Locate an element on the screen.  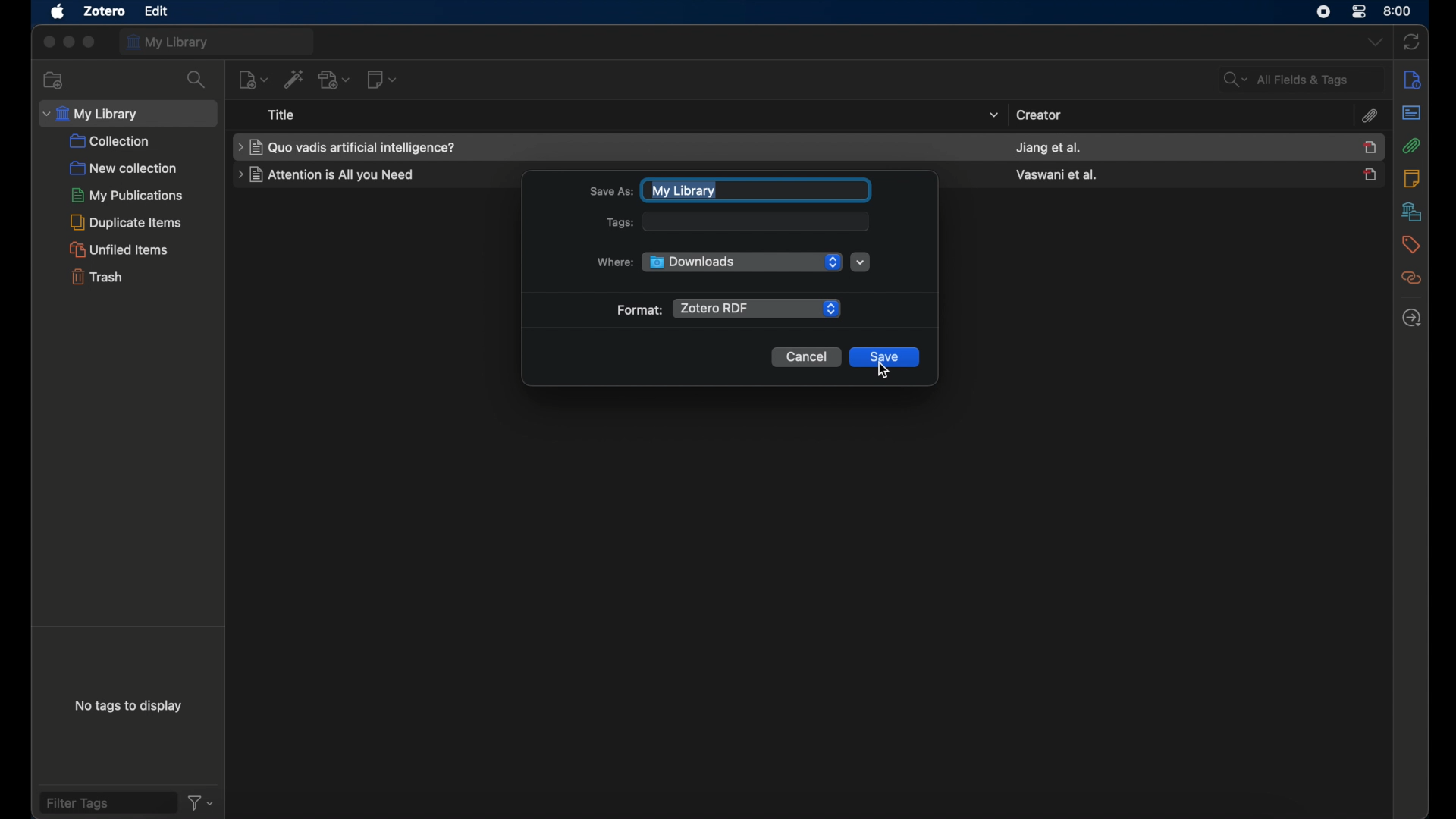
save as: is located at coordinates (612, 192).